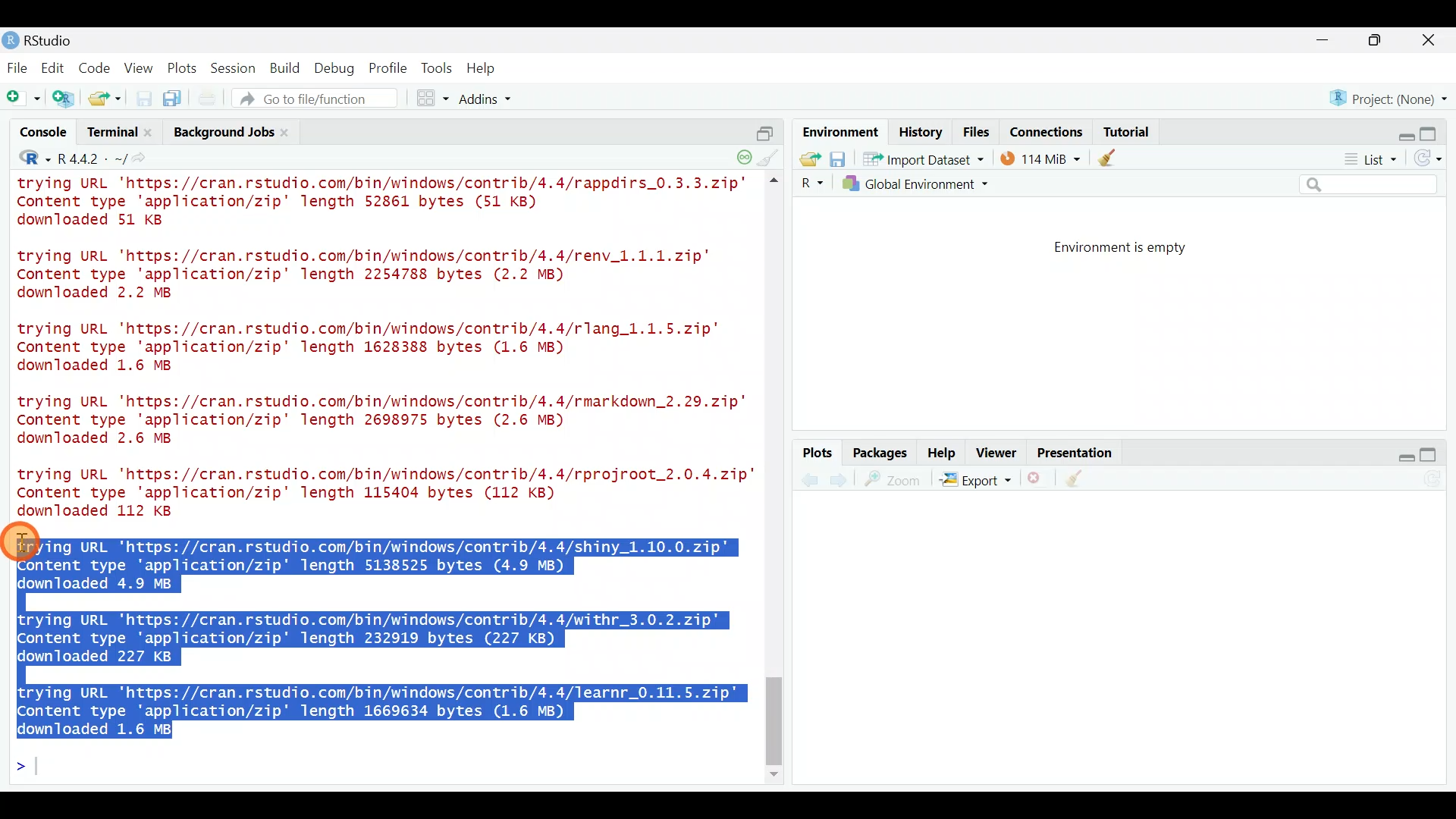 Image resolution: width=1456 pixels, height=819 pixels. I want to click on split, so click(764, 127).